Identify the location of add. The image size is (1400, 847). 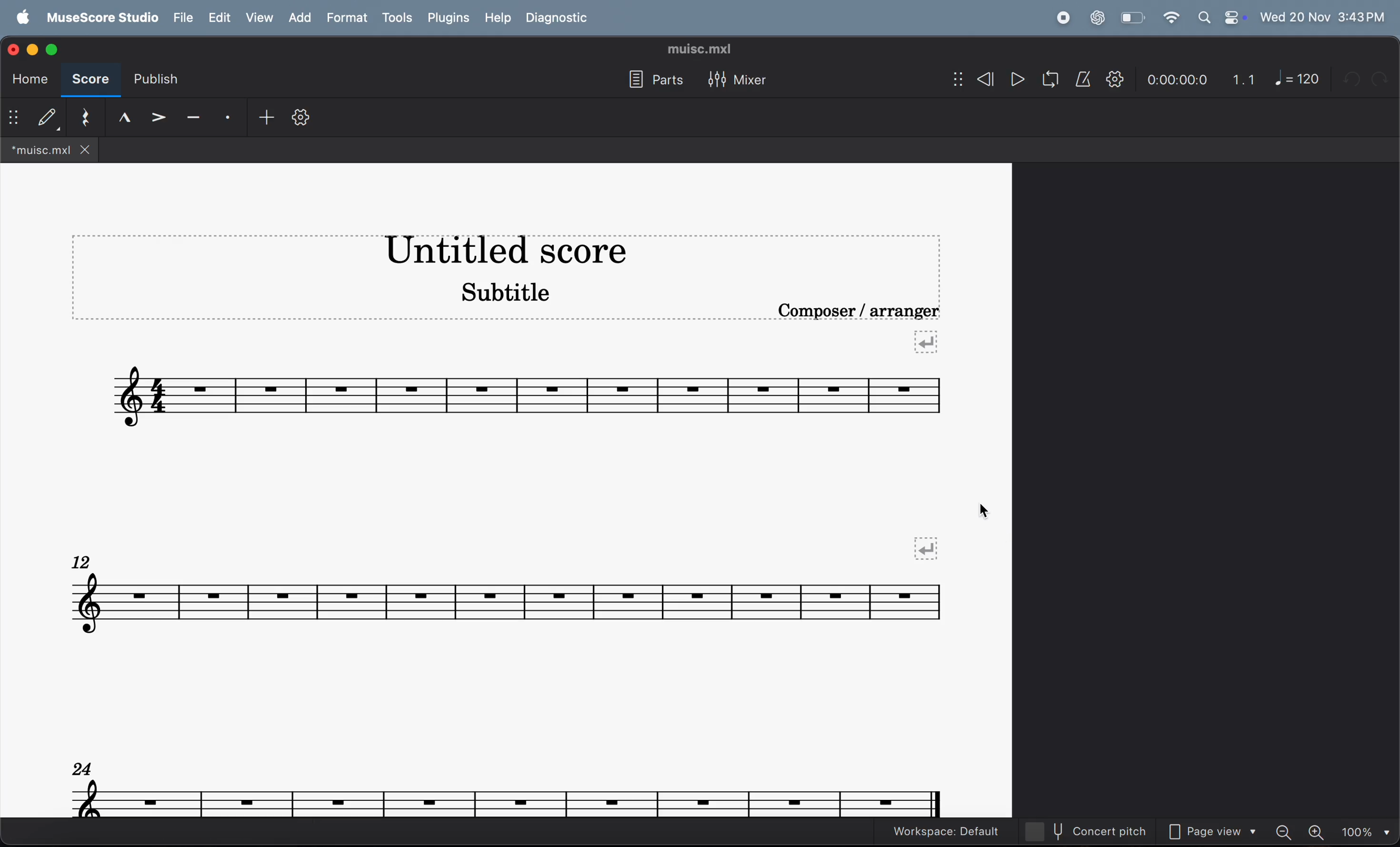
(263, 117).